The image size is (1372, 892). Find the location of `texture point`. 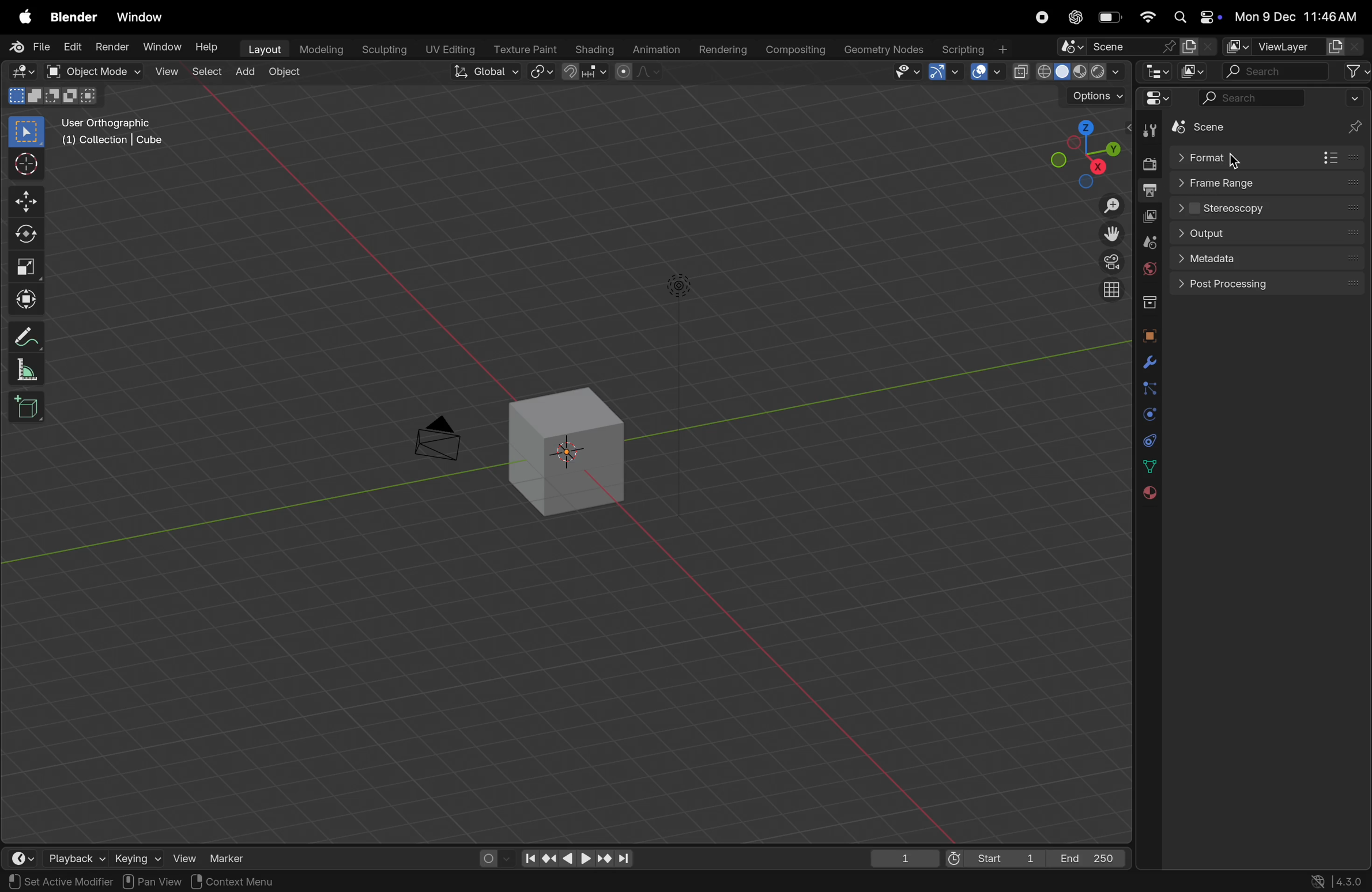

texture point is located at coordinates (526, 48).